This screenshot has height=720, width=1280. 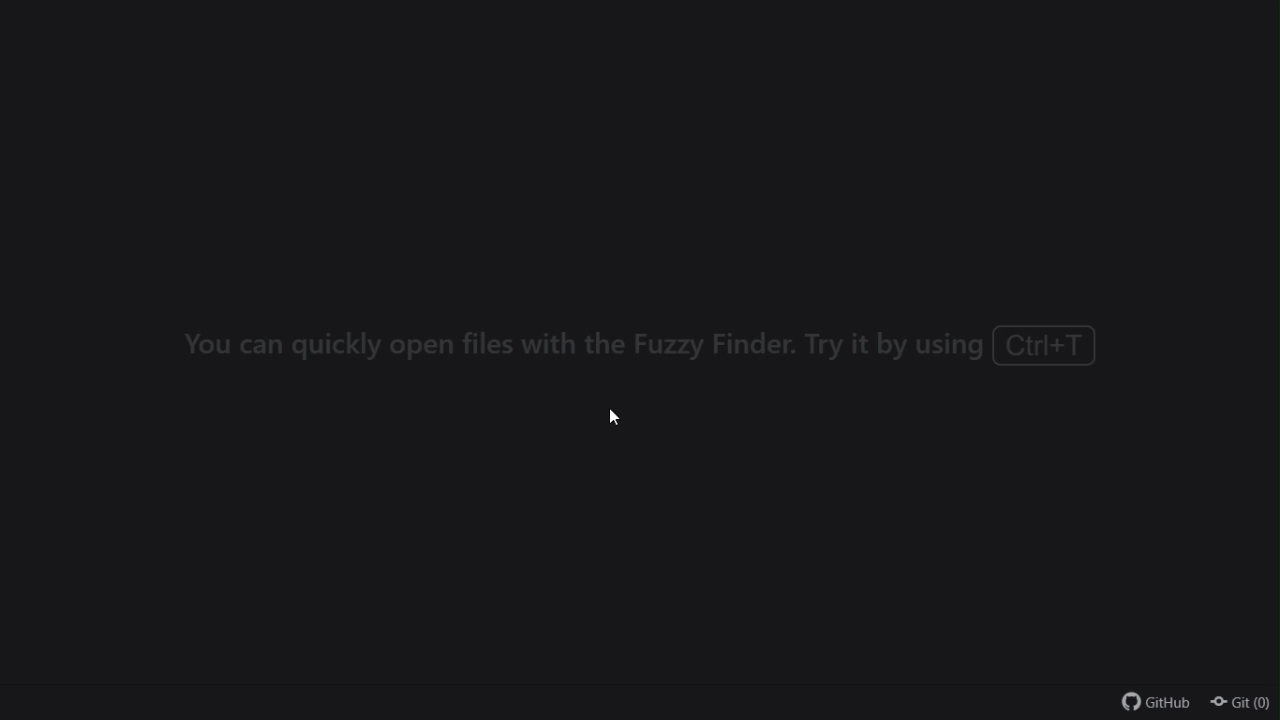 I want to click on github, so click(x=1157, y=706).